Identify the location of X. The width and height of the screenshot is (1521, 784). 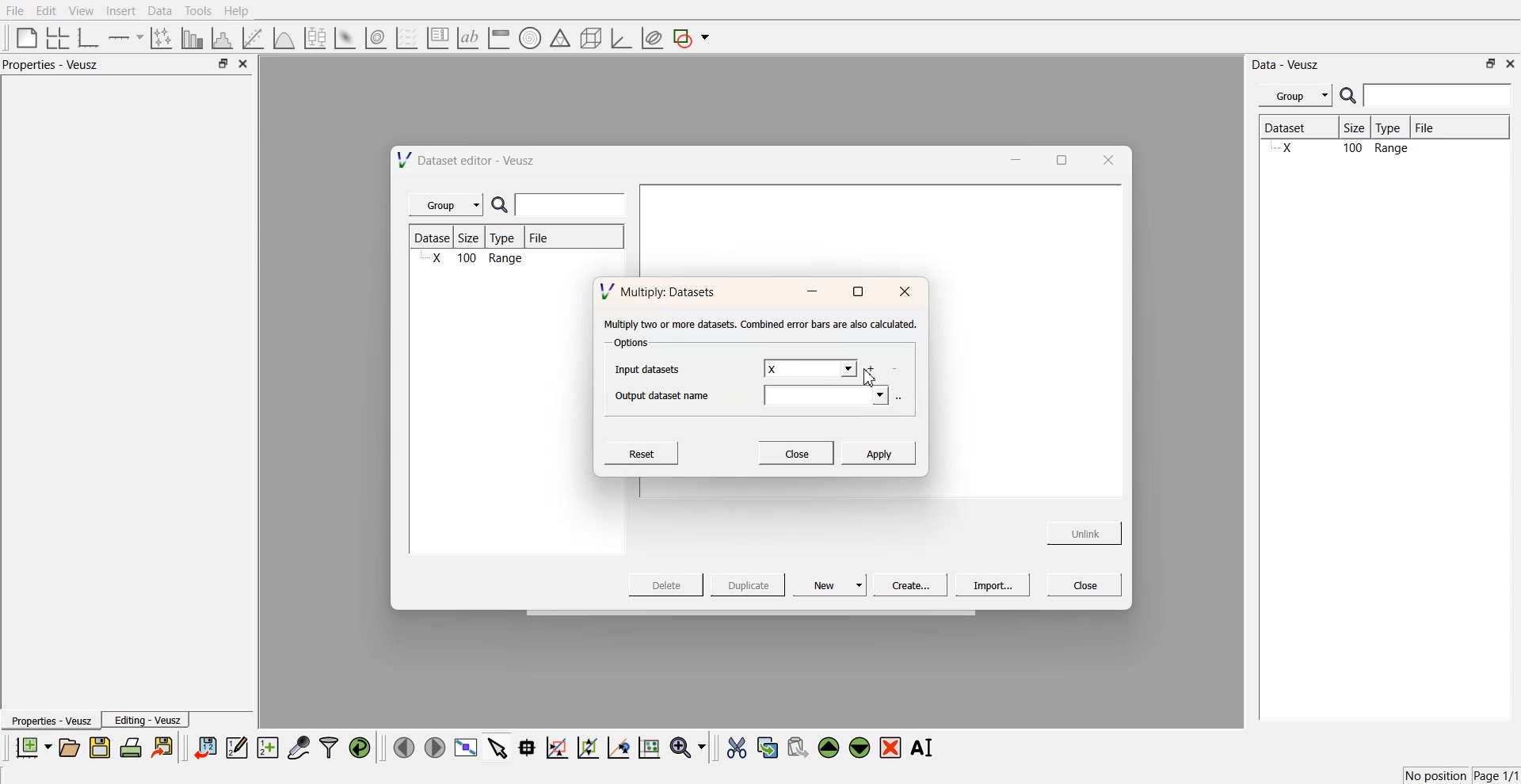
(810, 368).